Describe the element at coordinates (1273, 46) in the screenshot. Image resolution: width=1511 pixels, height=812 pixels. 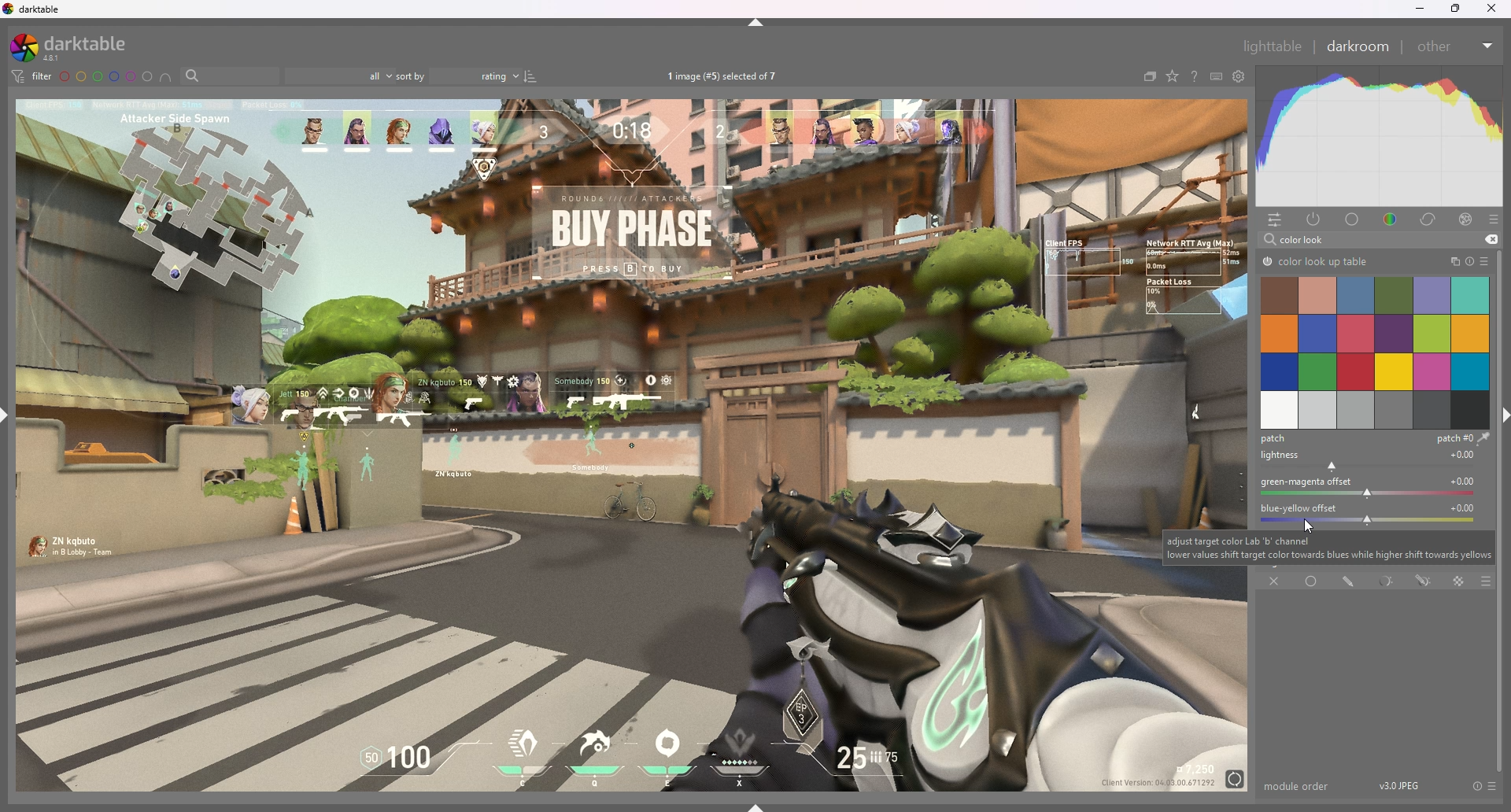
I see `lighttable` at that location.